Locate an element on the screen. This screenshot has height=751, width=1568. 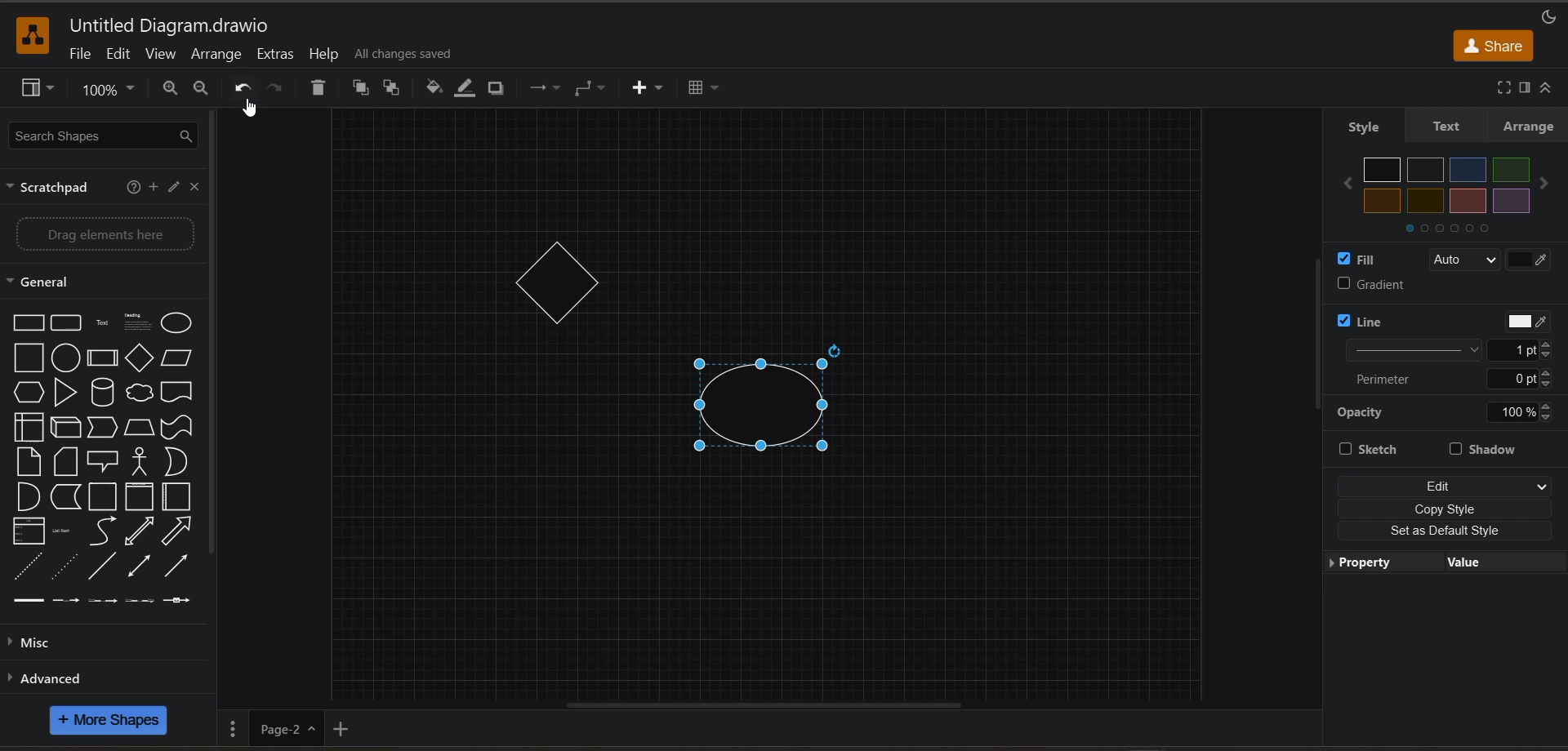
Connector with 2 Labels is located at coordinates (102, 600).